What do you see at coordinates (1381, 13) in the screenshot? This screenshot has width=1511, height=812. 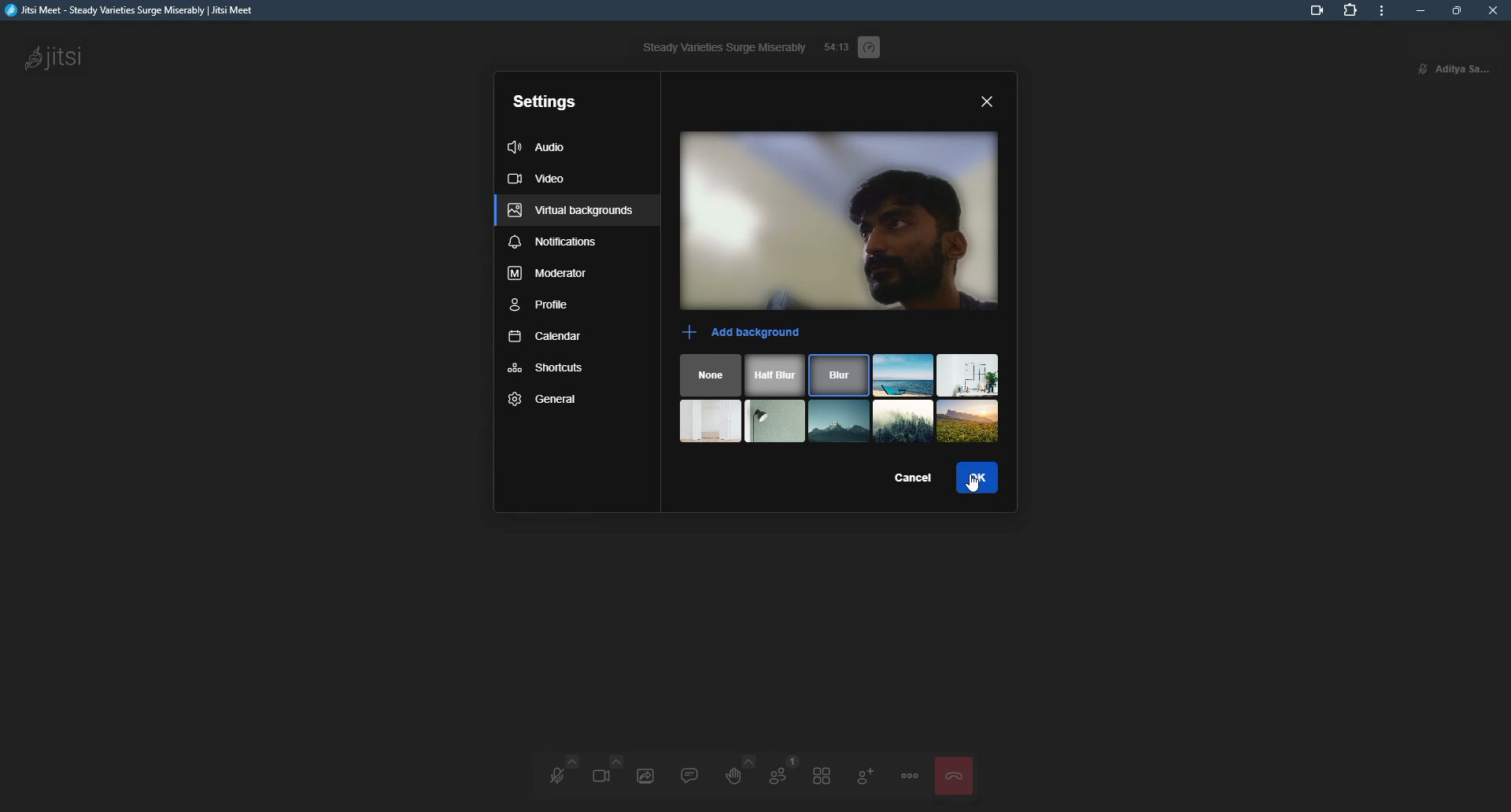 I see `more` at bounding box center [1381, 13].